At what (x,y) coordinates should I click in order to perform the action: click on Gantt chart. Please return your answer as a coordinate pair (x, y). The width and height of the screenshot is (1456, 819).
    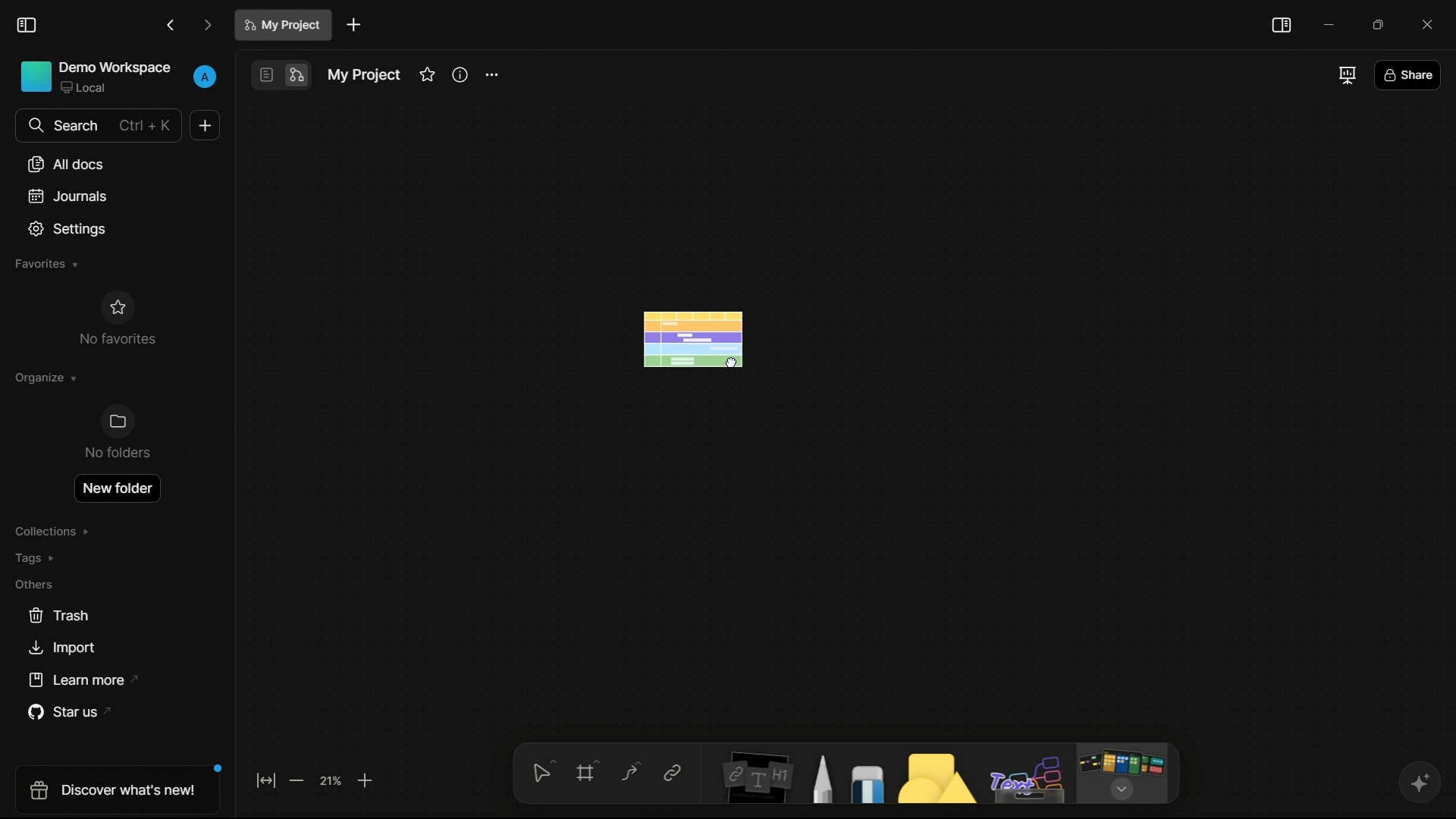
    Looking at the image, I should click on (697, 339).